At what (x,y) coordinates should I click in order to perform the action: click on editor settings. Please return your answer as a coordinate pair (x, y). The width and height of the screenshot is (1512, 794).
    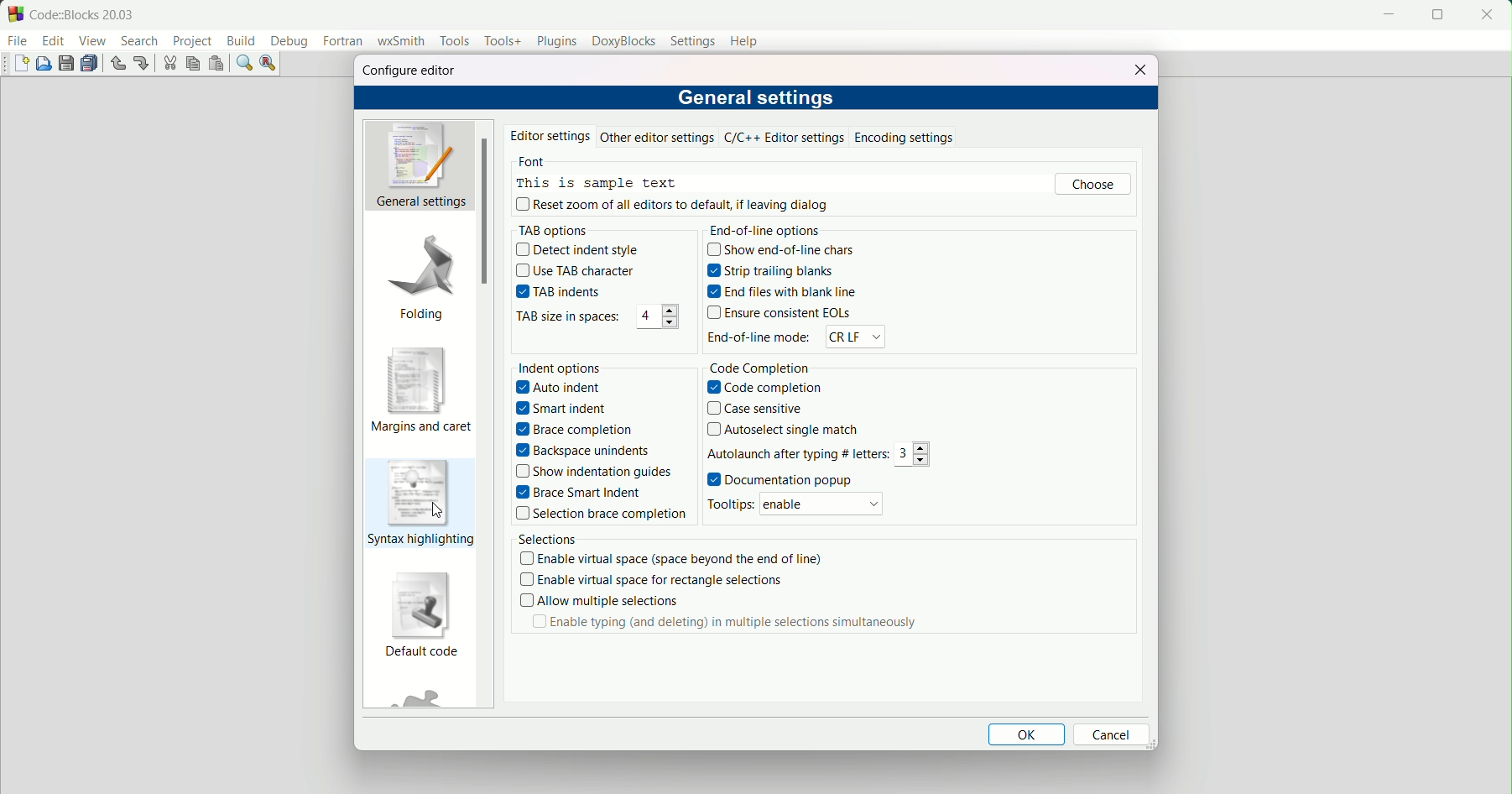
    Looking at the image, I should click on (549, 138).